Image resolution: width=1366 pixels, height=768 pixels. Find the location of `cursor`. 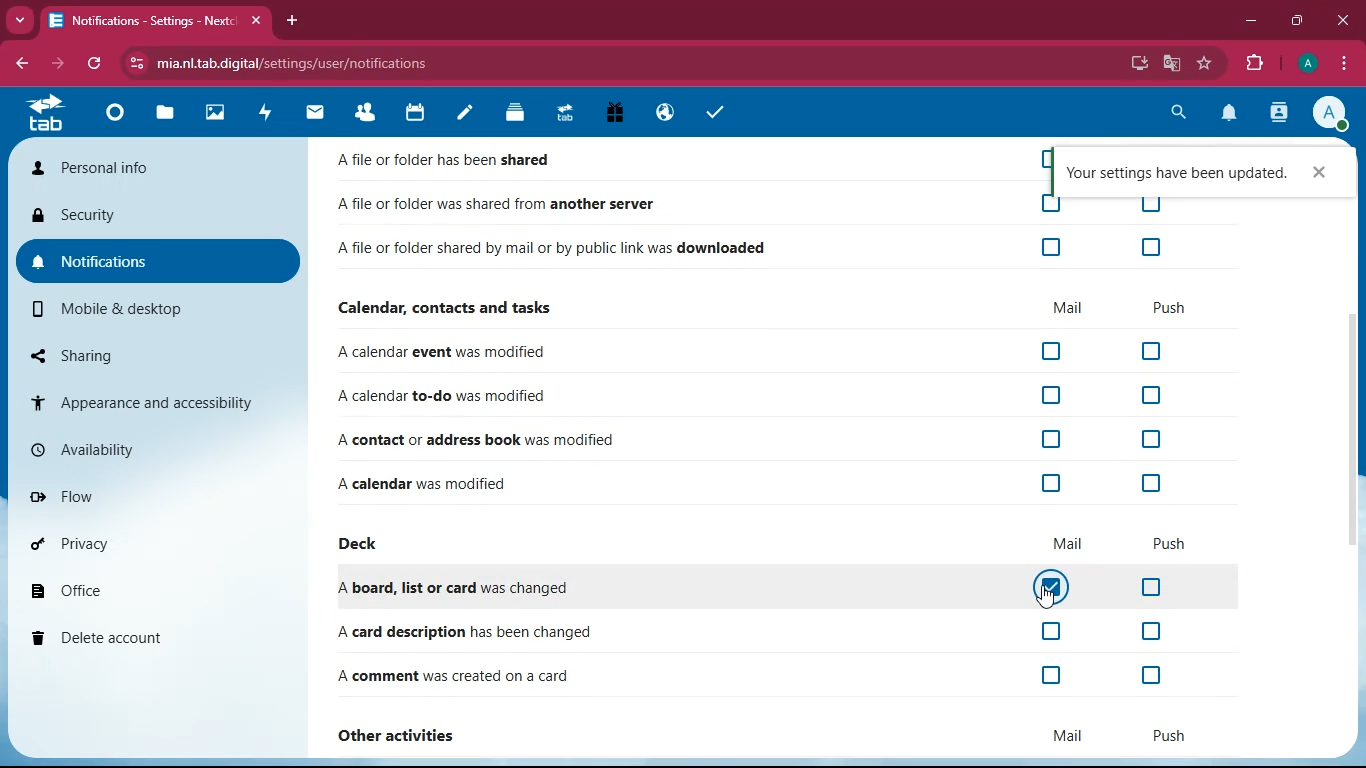

cursor is located at coordinates (1051, 597).